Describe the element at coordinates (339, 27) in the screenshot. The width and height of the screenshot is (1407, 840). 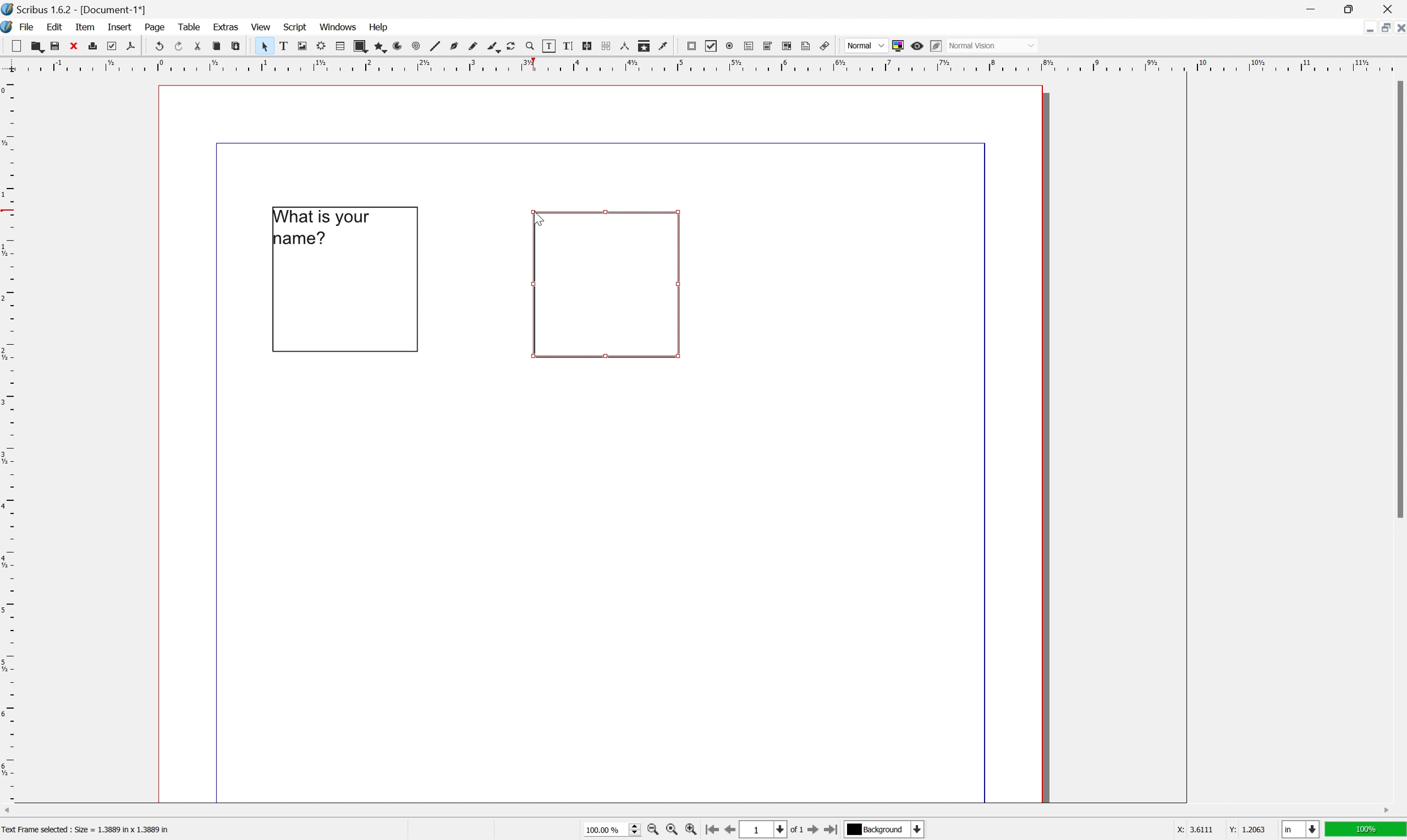
I see `windows` at that location.